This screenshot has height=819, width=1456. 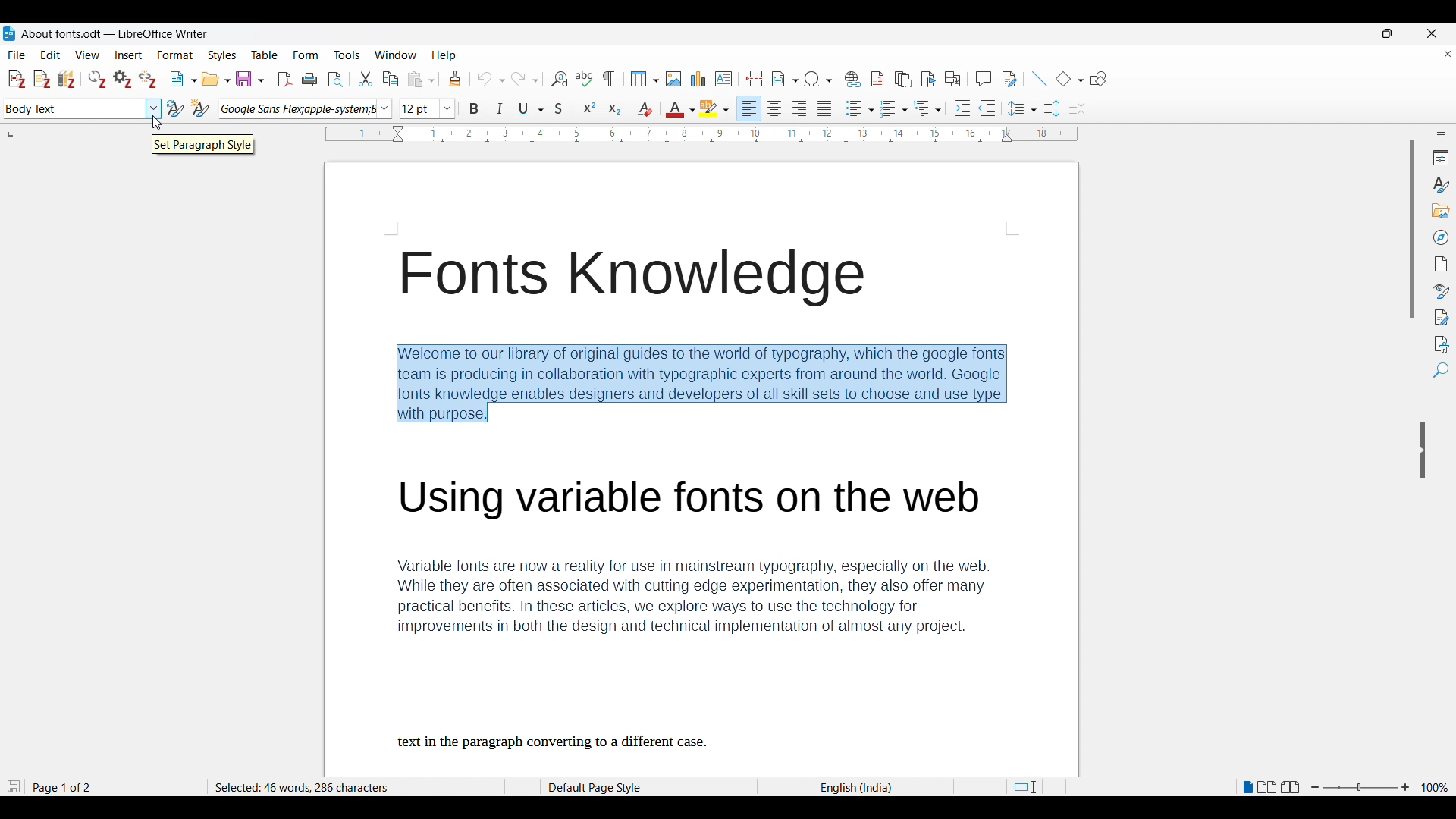 I want to click on Subscript, so click(x=615, y=108).